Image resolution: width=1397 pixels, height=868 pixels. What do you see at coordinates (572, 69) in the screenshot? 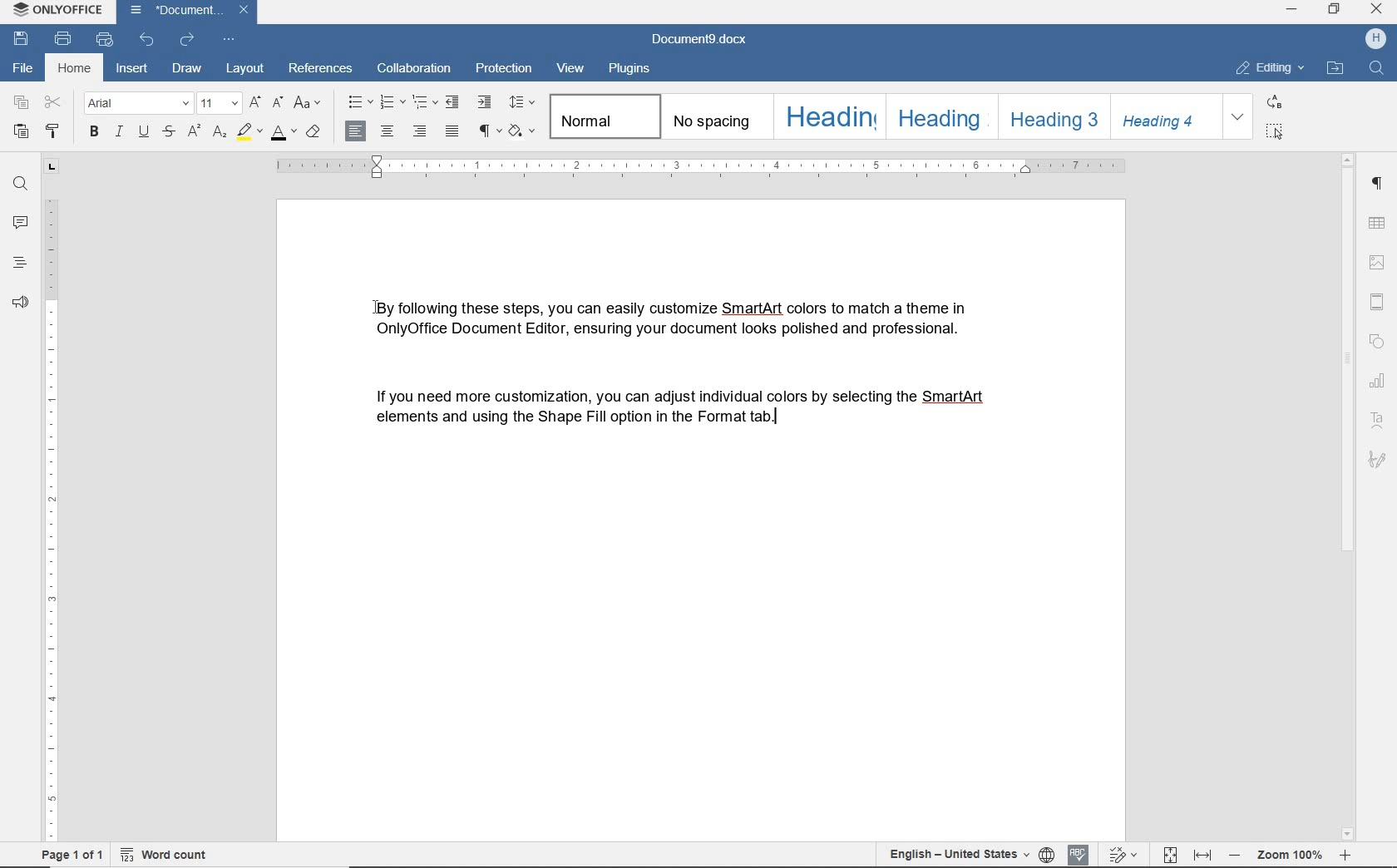
I see `view` at bounding box center [572, 69].